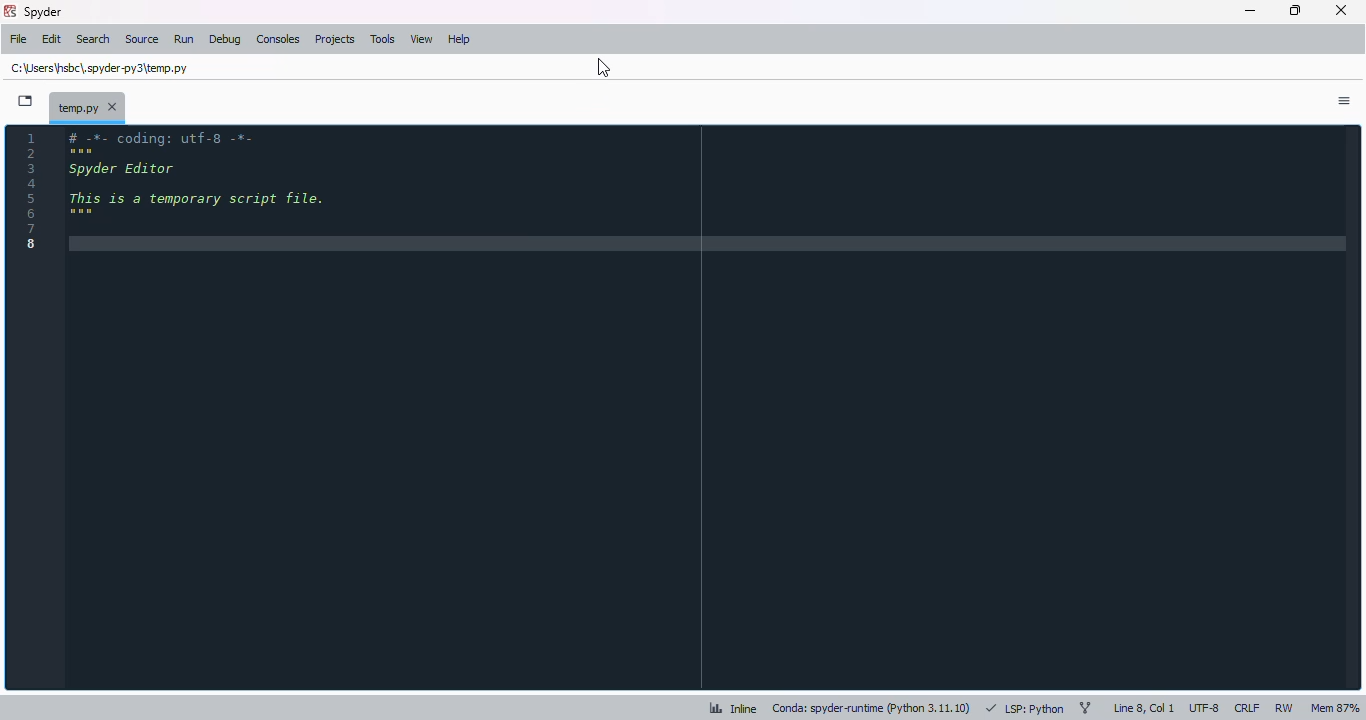 The image size is (1366, 720). What do you see at coordinates (43, 12) in the screenshot?
I see `spyder` at bounding box center [43, 12].